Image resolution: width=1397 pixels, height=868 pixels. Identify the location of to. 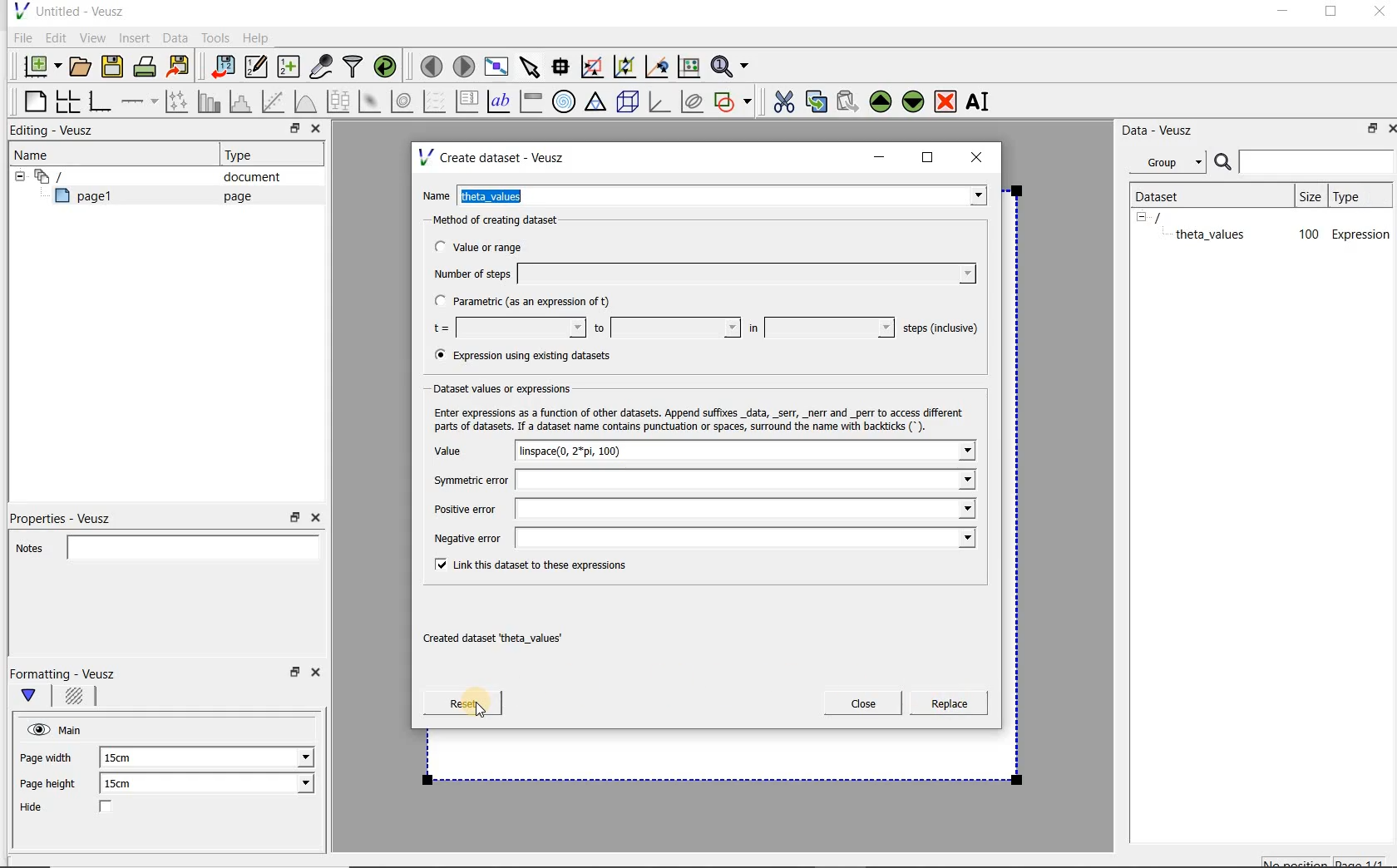
(665, 328).